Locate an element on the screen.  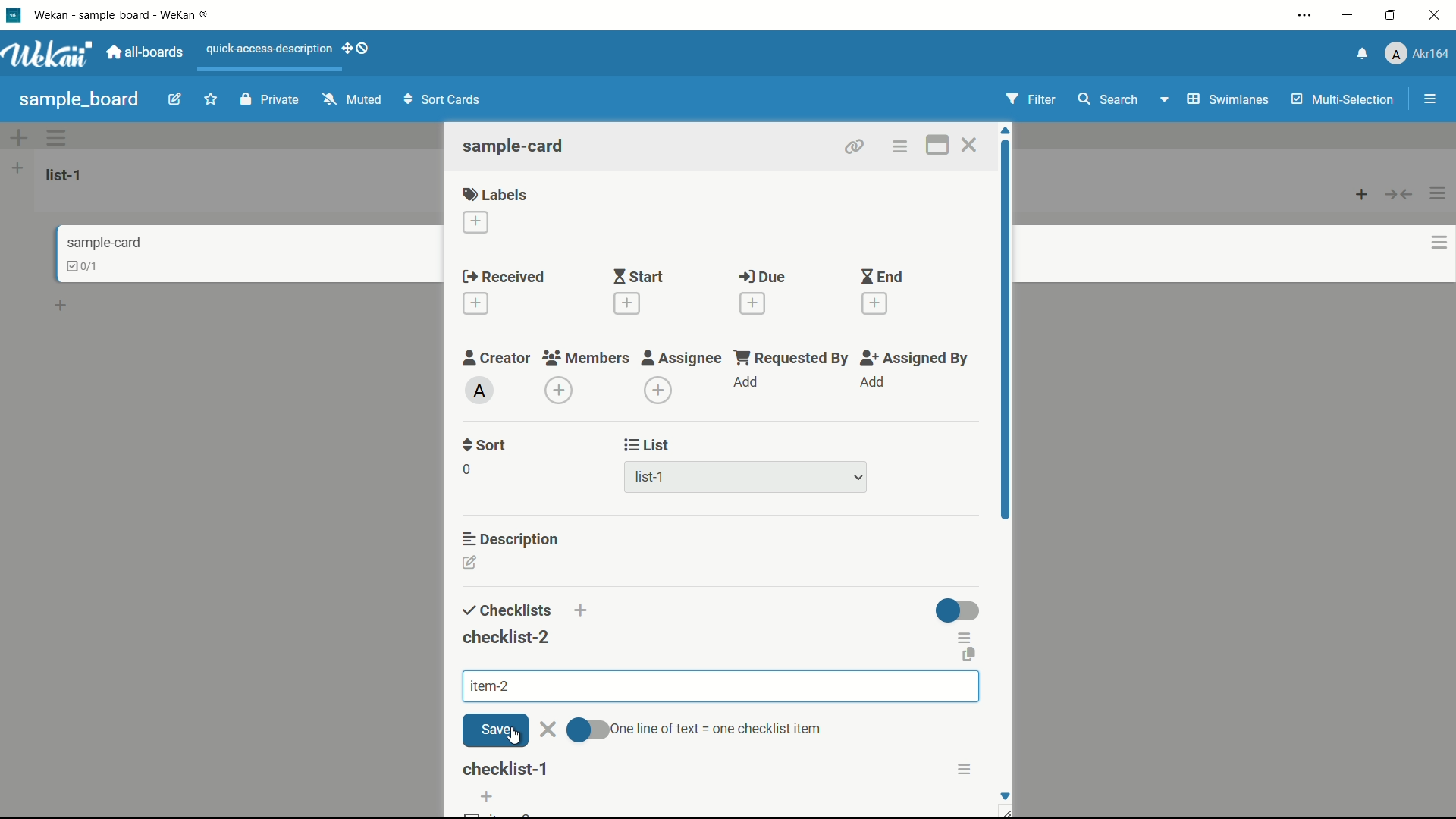
add date is located at coordinates (875, 304).